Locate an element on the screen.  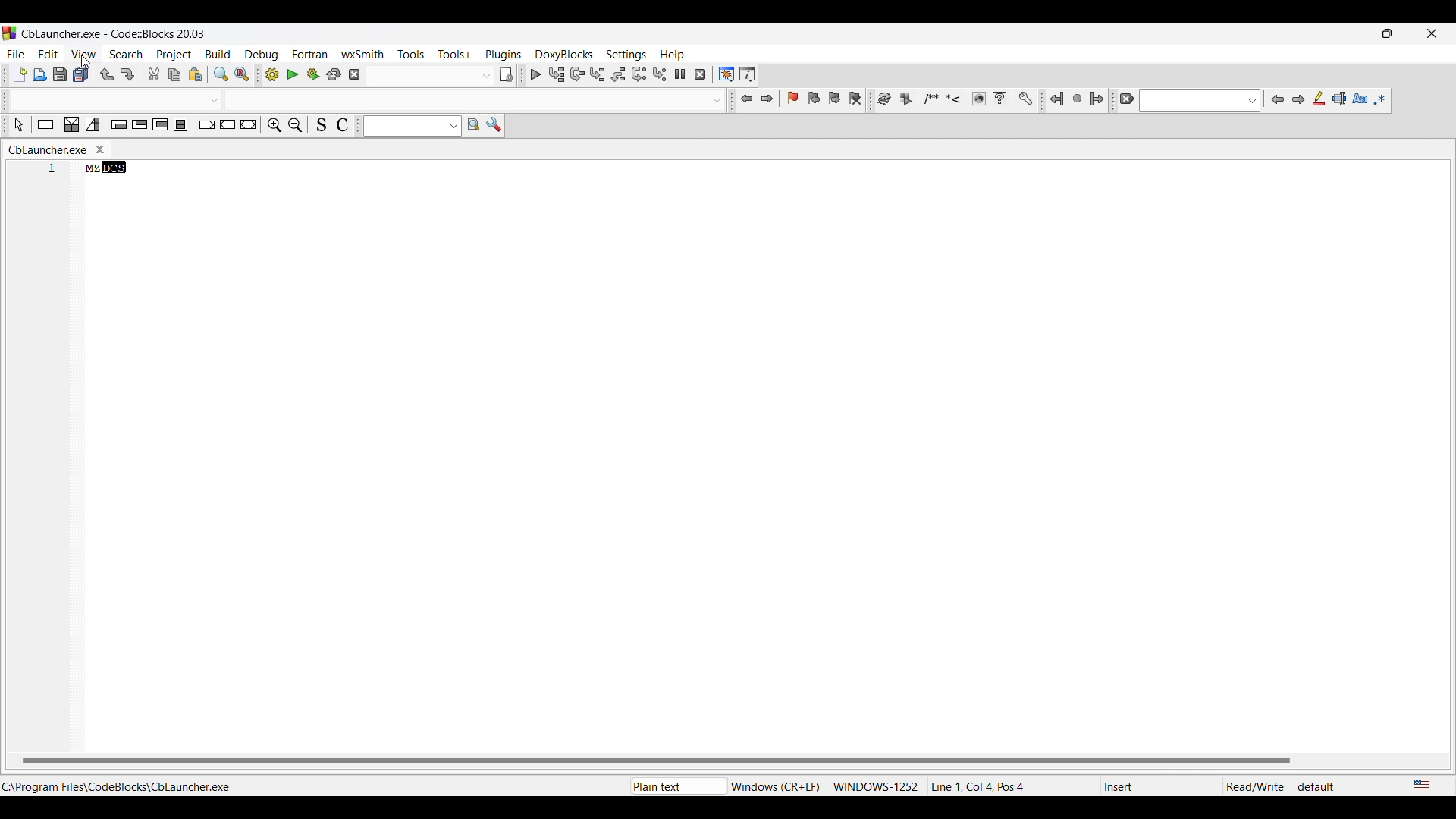
Text box with options is located at coordinates (370, 101).